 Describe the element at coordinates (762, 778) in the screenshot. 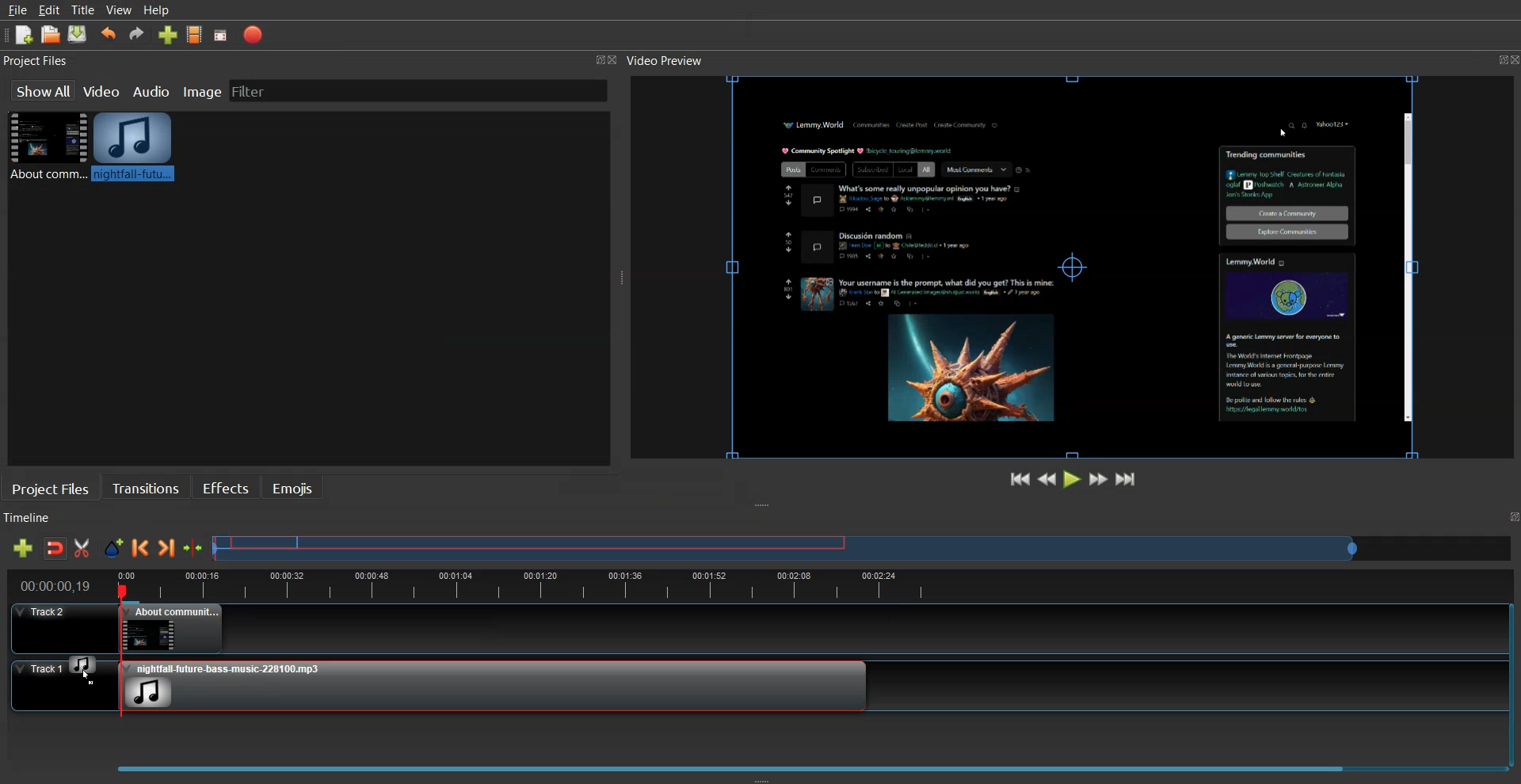

I see `Window Adjuster` at that location.